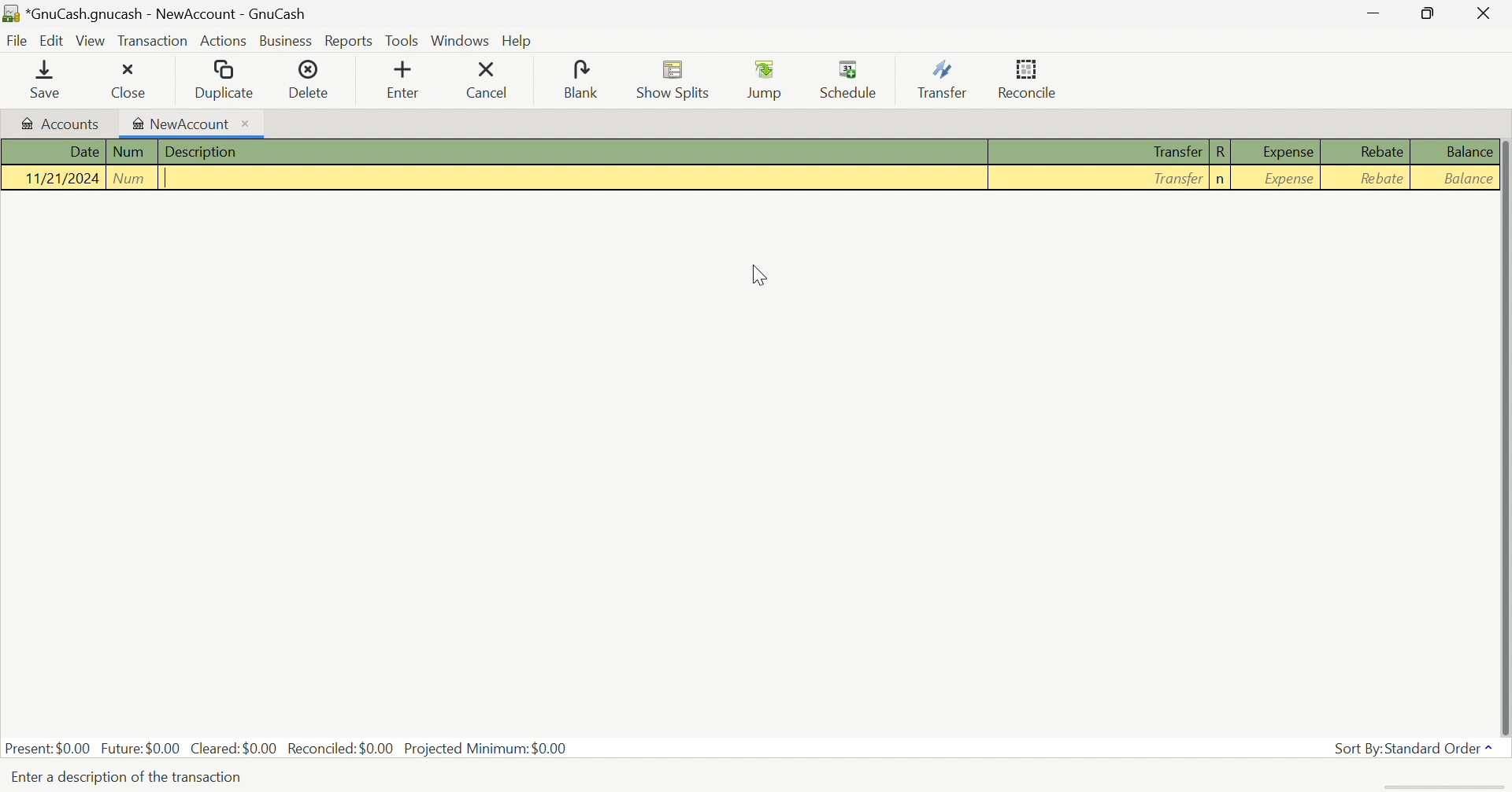 This screenshot has height=792, width=1512. Describe the element at coordinates (183, 124) in the screenshot. I see `NewAccount` at that location.